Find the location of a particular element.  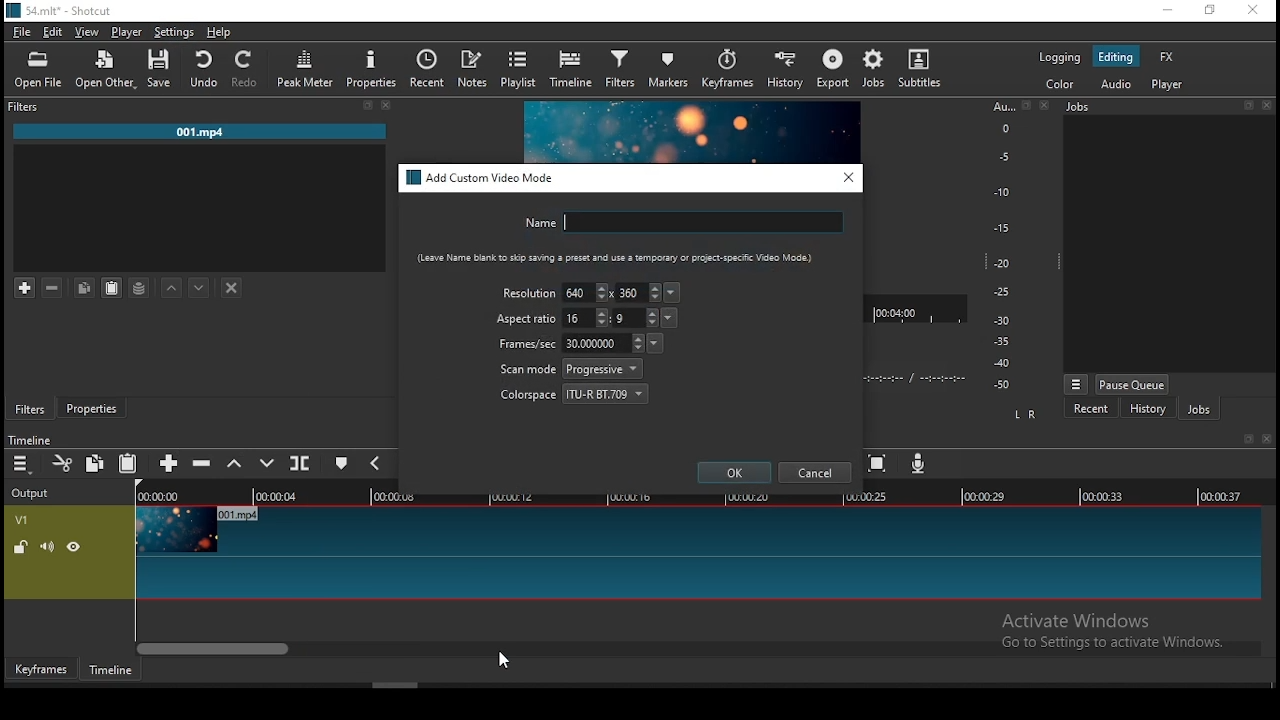

zoom timeline to fit is located at coordinates (879, 465).